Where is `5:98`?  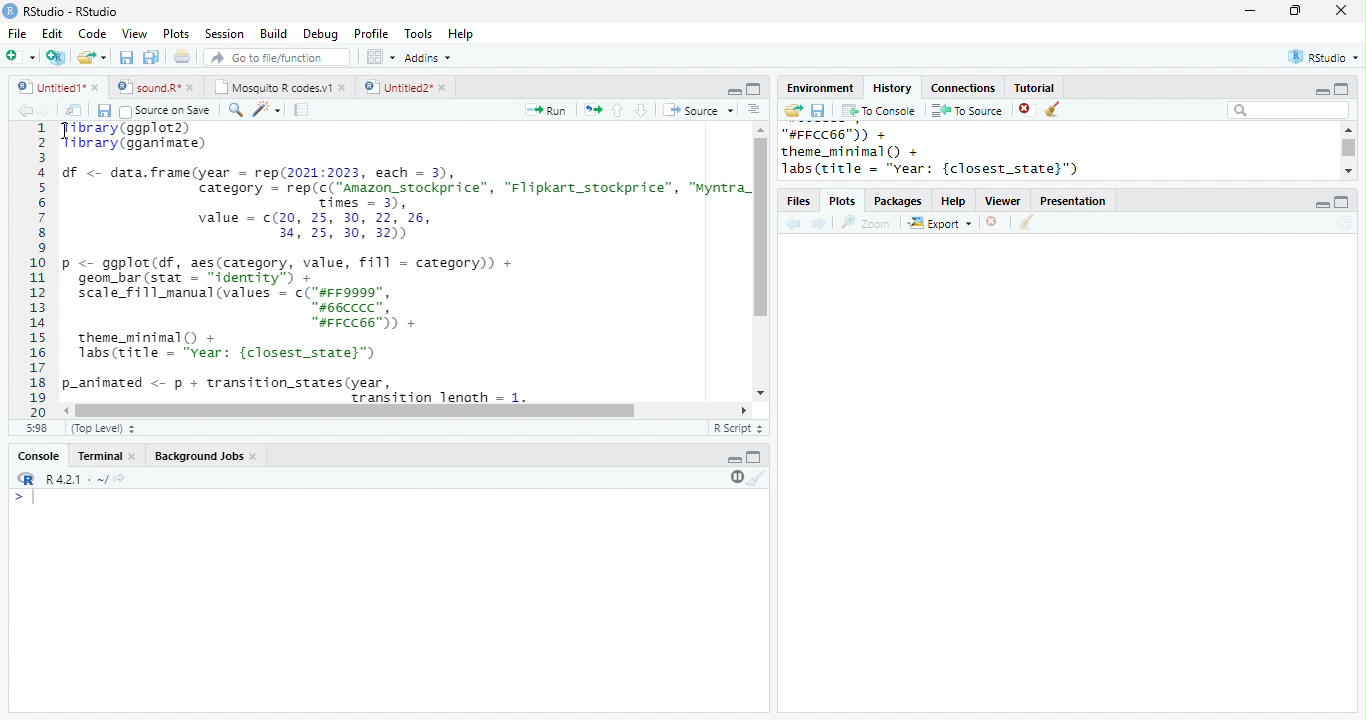
5:98 is located at coordinates (37, 428).